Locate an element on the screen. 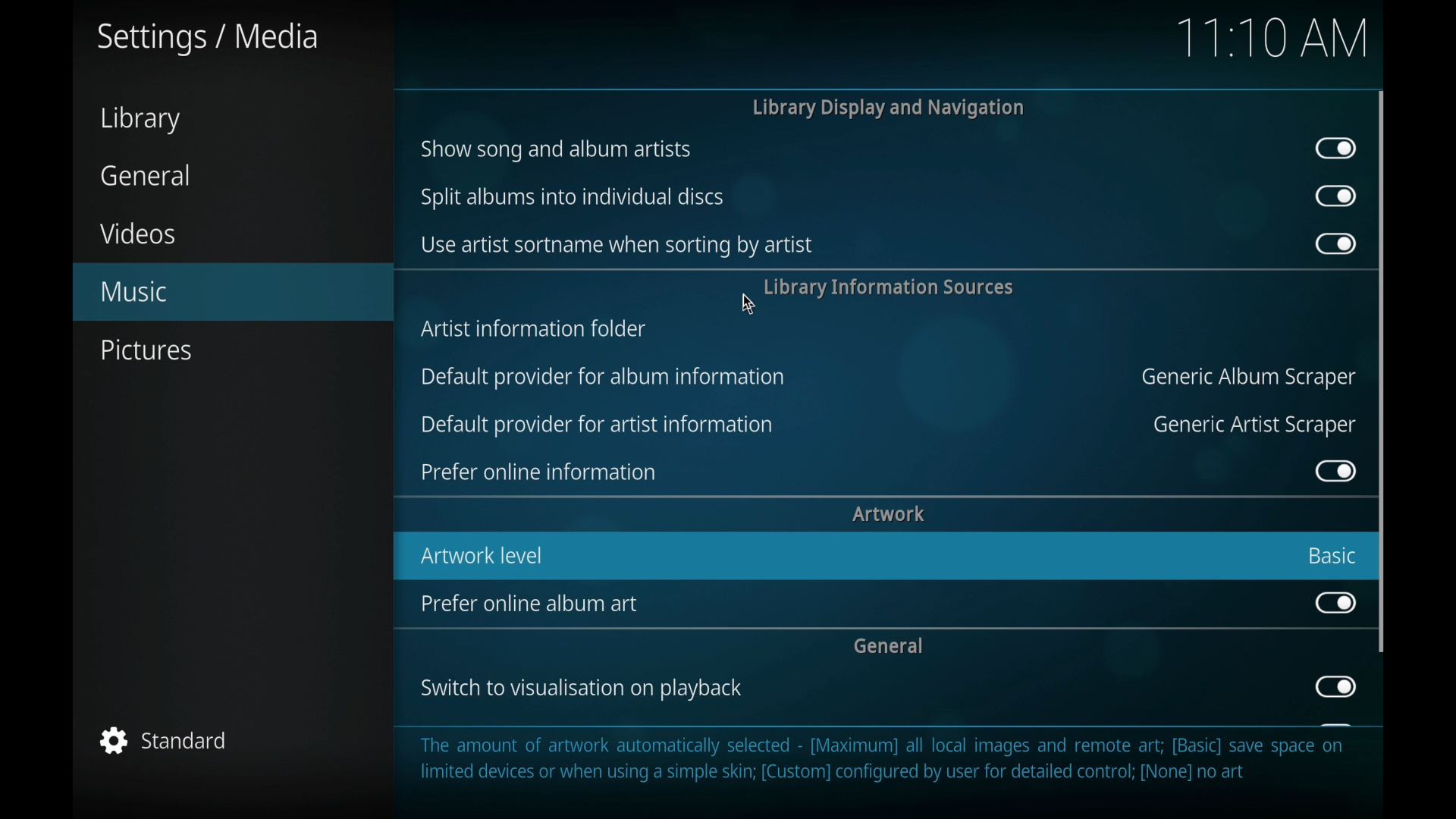  basic is located at coordinates (1332, 555).